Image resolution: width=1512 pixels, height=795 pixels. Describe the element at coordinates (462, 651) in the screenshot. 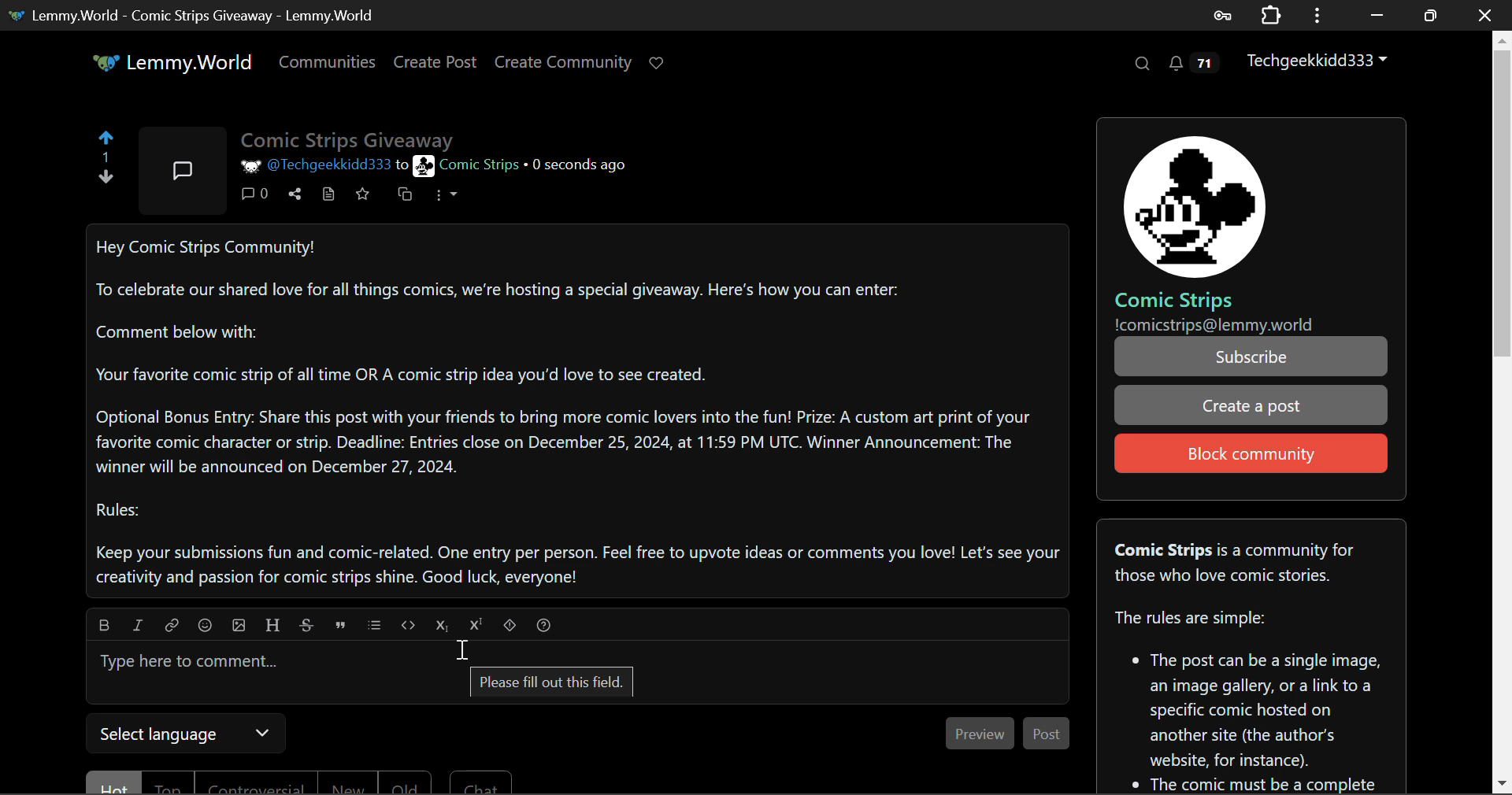

I see `Cursor AFTER_LAST_ACTION` at that location.